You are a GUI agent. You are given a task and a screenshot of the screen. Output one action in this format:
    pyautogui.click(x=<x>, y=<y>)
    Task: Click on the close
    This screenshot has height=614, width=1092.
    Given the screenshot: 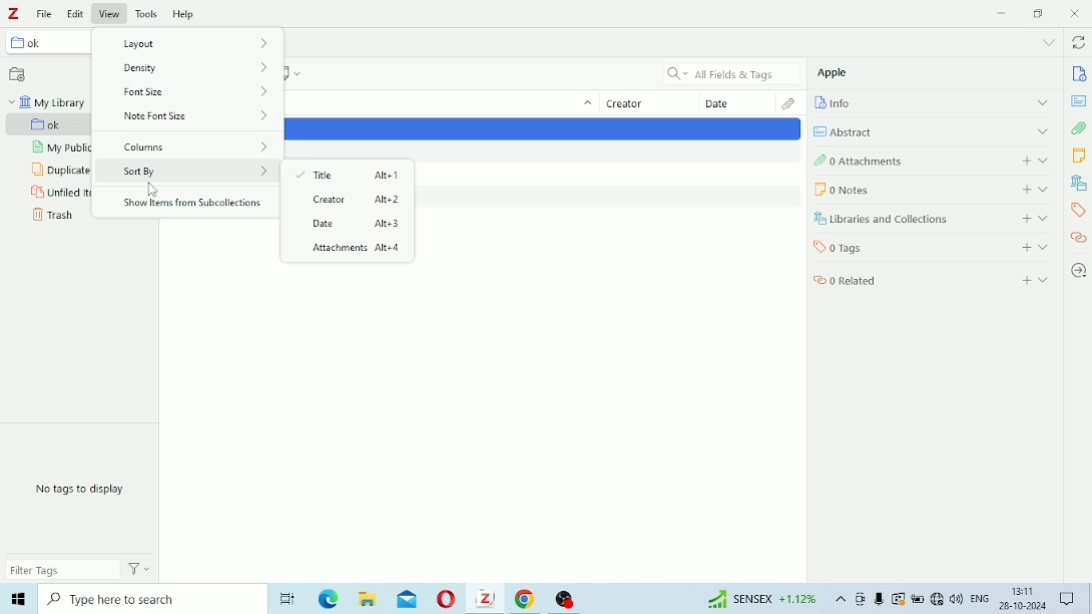 What is the action you would take?
    pyautogui.click(x=1078, y=13)
    